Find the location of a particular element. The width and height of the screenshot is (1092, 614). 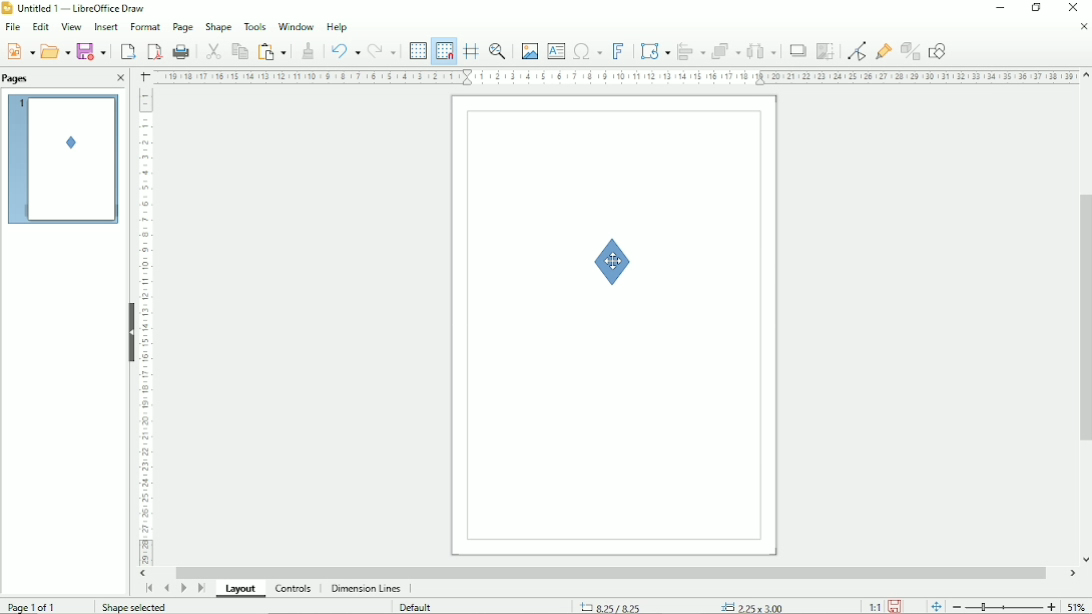

Arrange is located at coordinates (725, 50).